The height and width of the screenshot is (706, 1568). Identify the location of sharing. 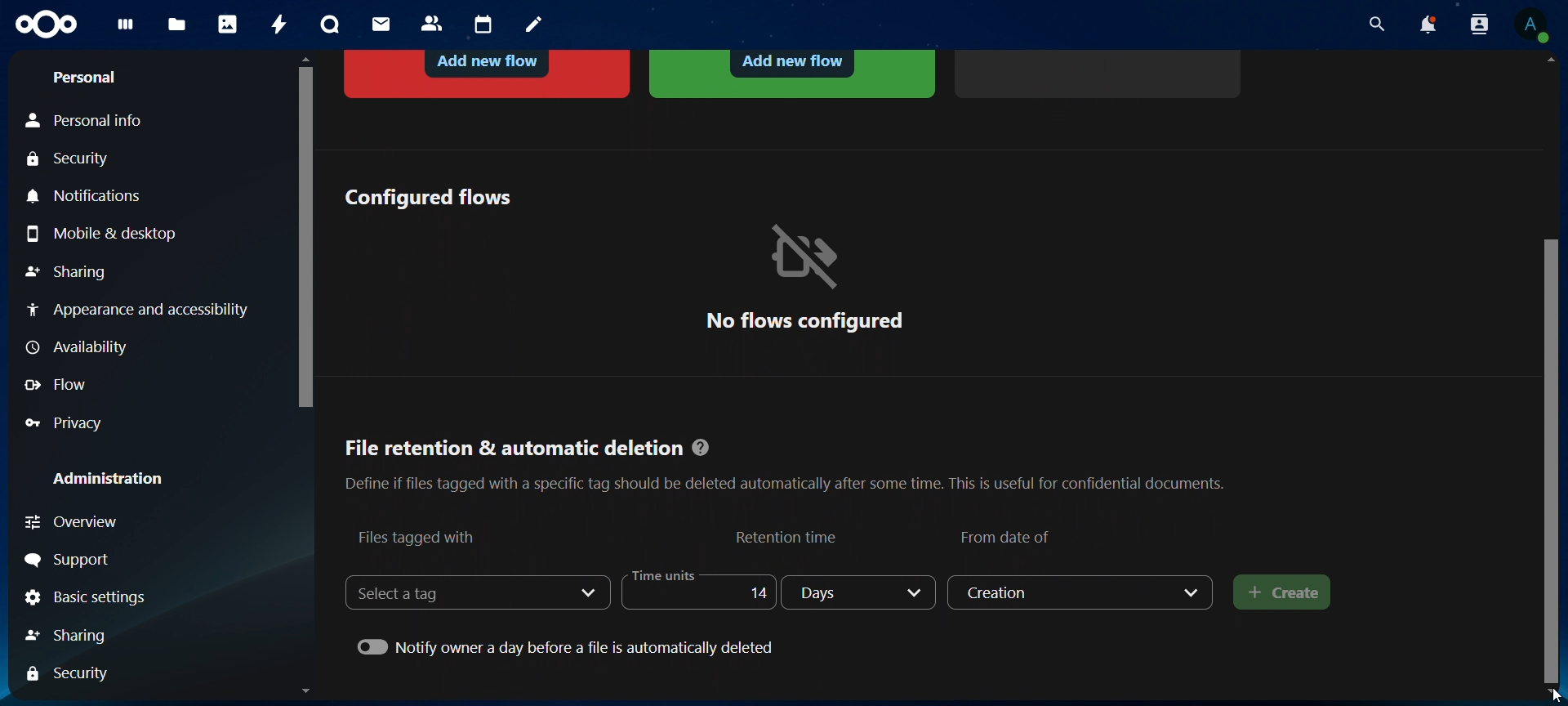
(66, 274).